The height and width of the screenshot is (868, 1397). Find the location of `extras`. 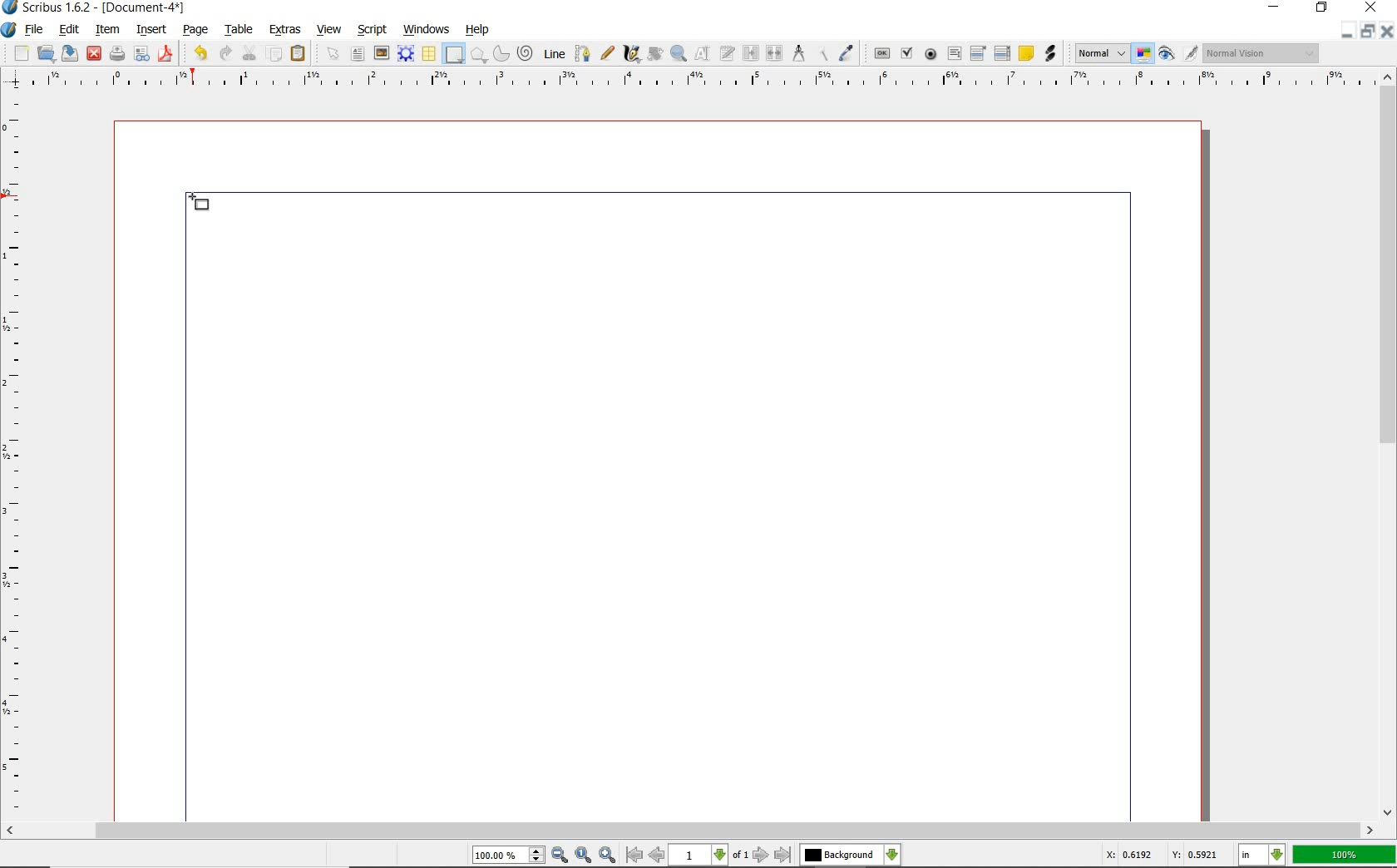

extras is located at coordinates (284, 30).